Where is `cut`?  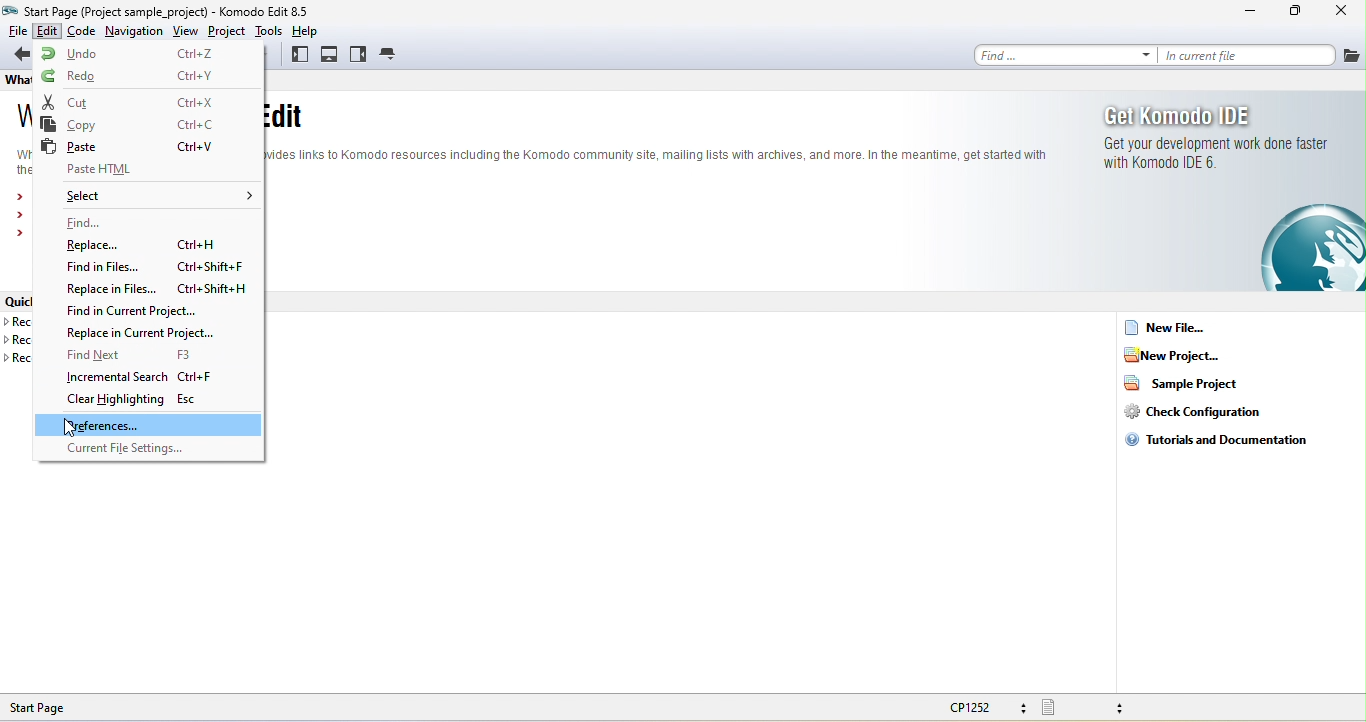
cut is located at coordinates (135, 100).